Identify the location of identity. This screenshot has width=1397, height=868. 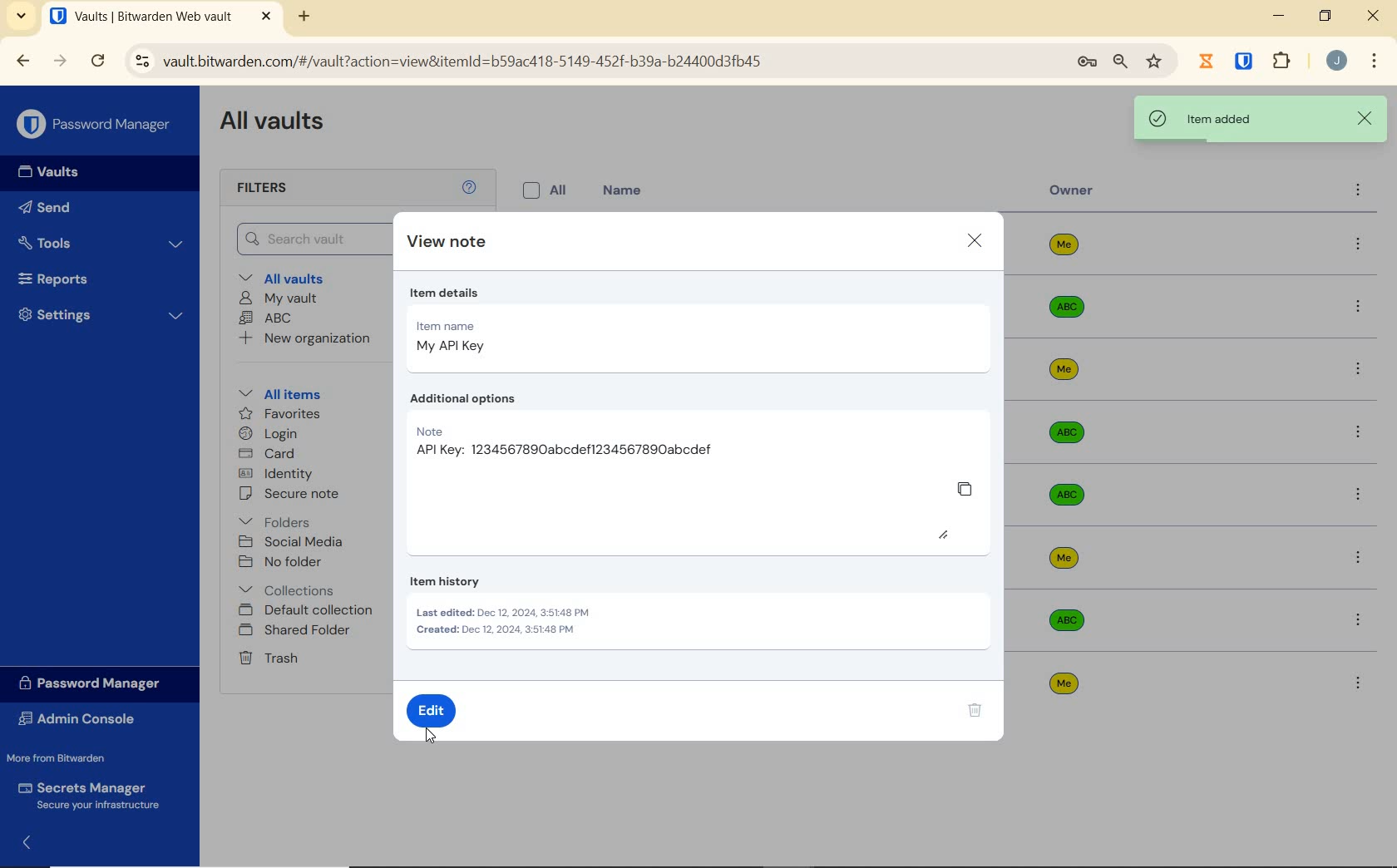
(279, 474).